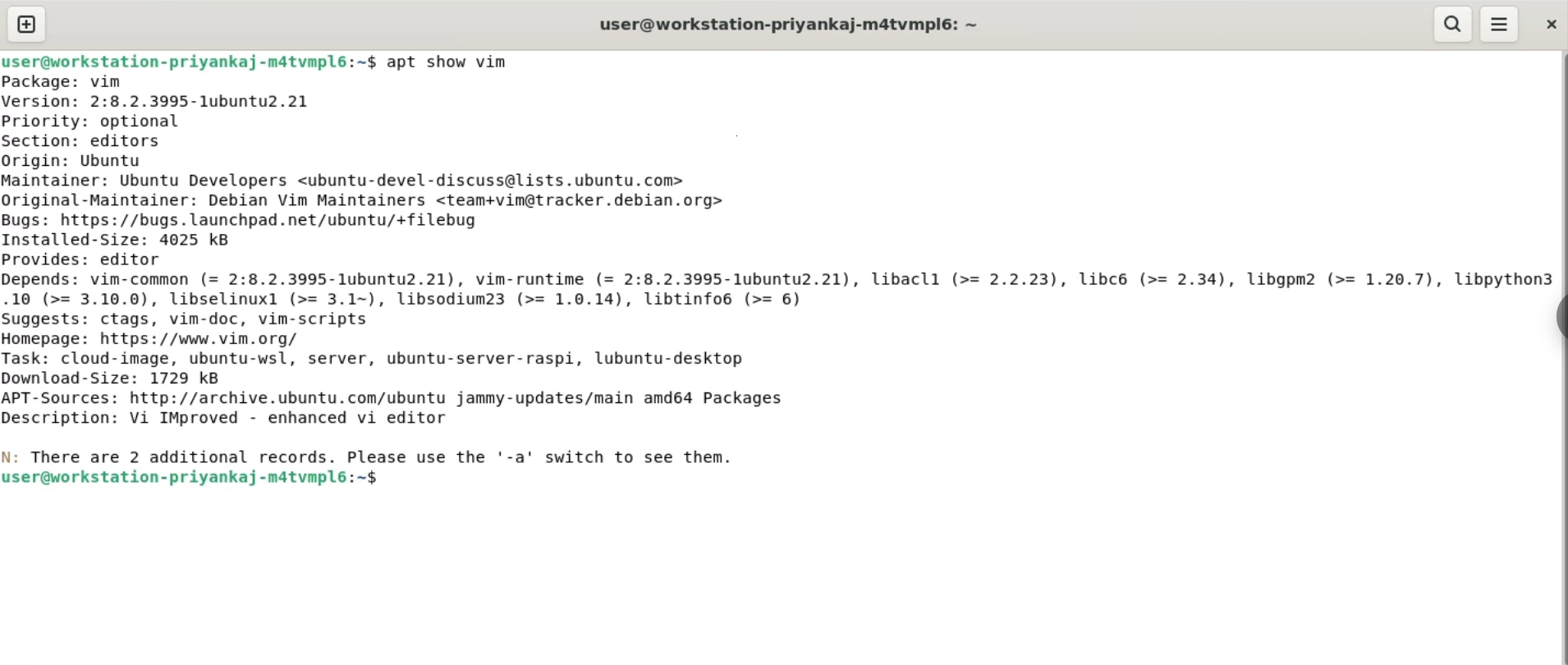  Describe the element at coordinates (1453, 24) in the screenshot. I see `search` at that location.